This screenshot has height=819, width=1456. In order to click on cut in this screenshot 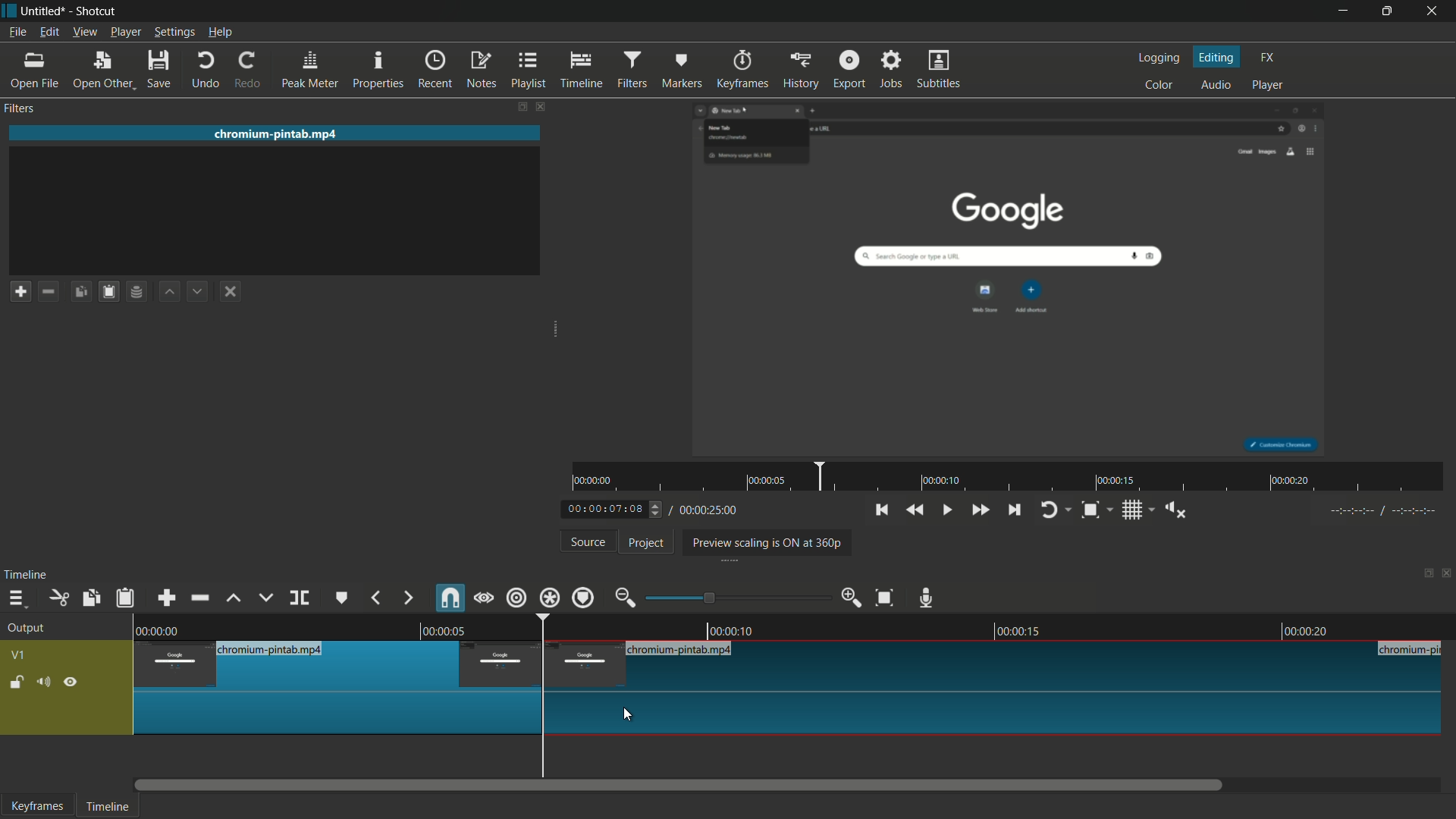, I will do `click(58, 599)`.